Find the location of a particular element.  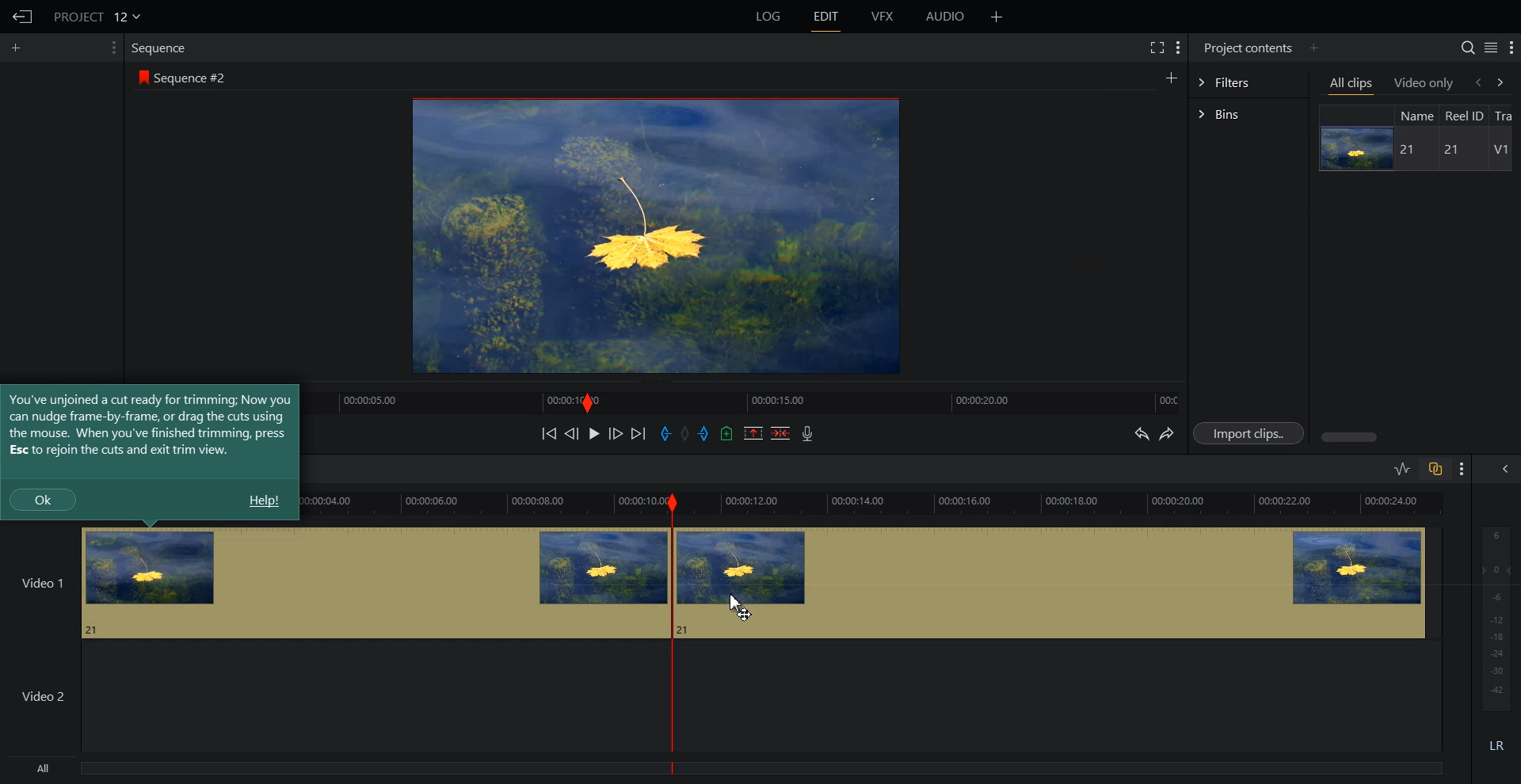

Search is located at coordinates (1468, 48).